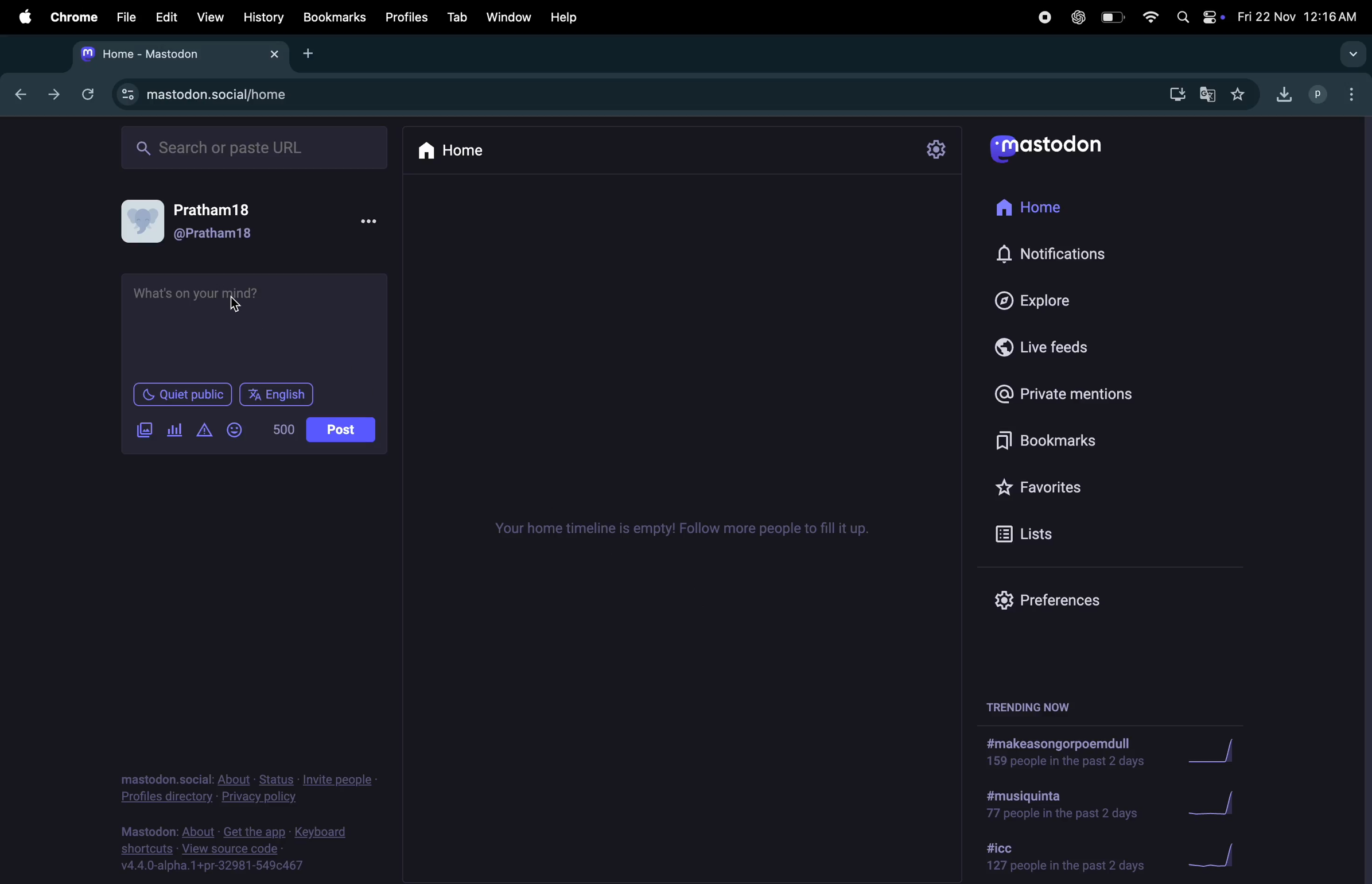  I want to click on graph, so click(1205, 751).